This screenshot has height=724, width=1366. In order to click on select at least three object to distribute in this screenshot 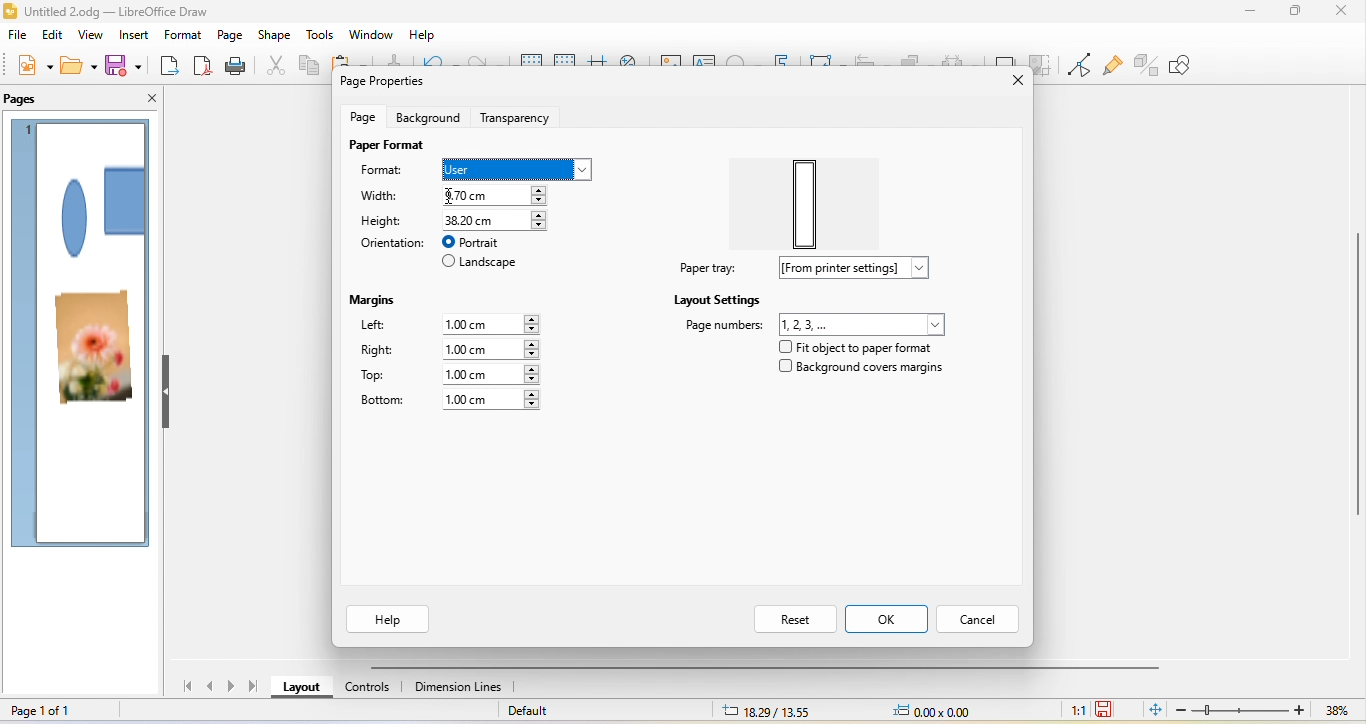, I will do `click(963, 57)`.